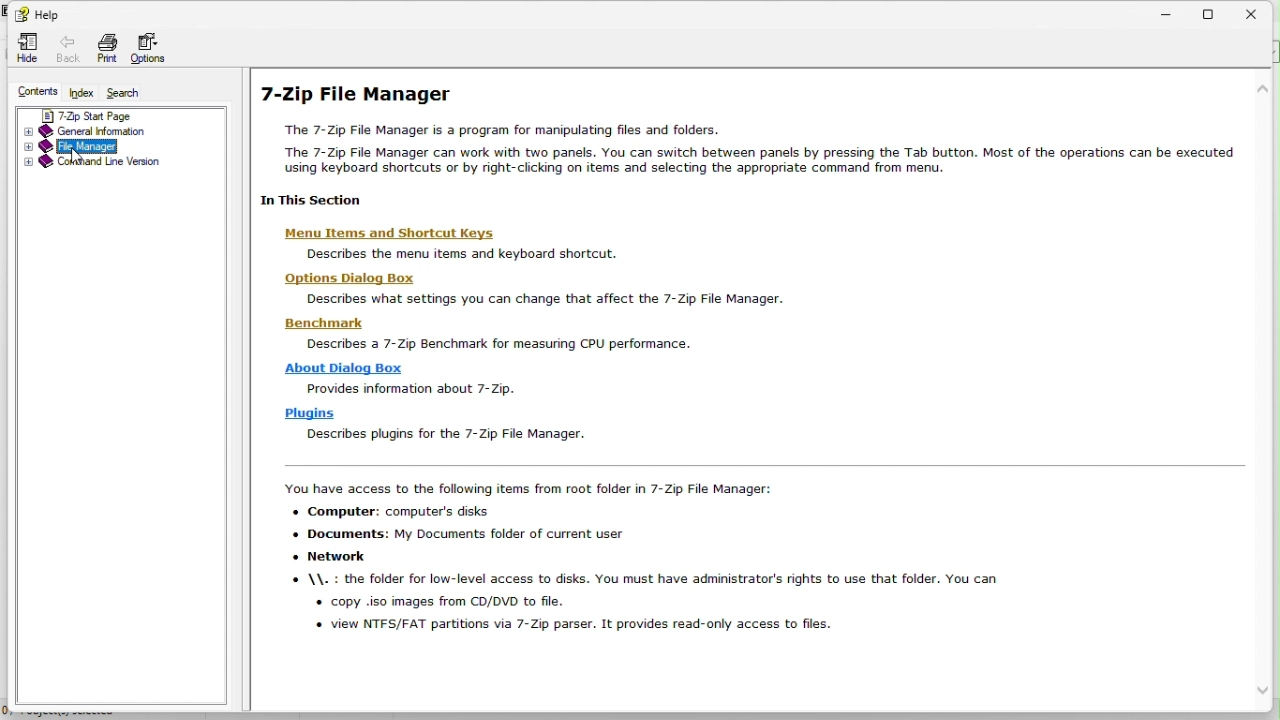  What do you see at coordinates (1261, 12) in the screenshot?
I see `Close` at bounding box center [1261, 12].